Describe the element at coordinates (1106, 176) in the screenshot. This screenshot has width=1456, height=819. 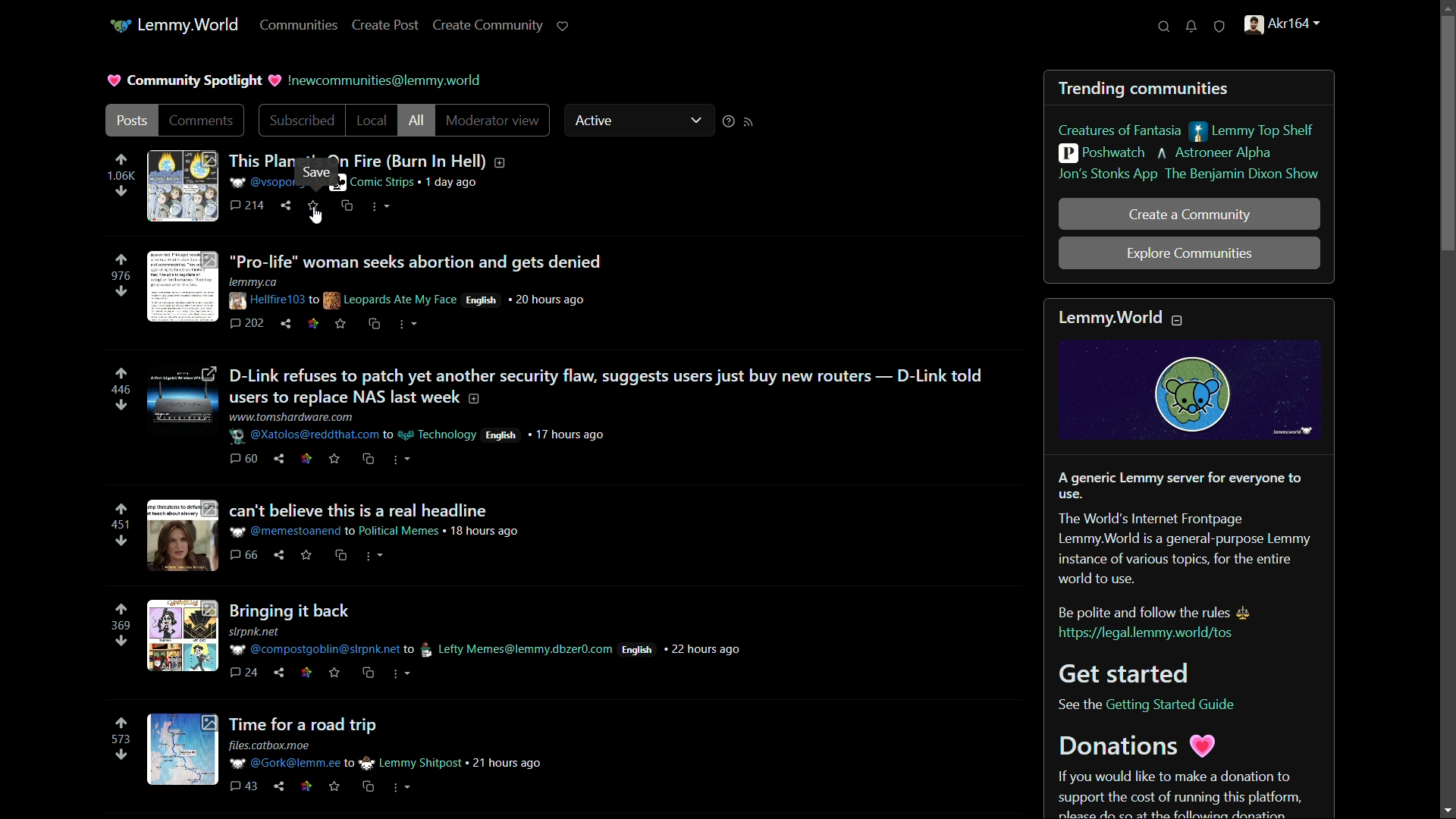
I see `jon's stonks app` at that location.